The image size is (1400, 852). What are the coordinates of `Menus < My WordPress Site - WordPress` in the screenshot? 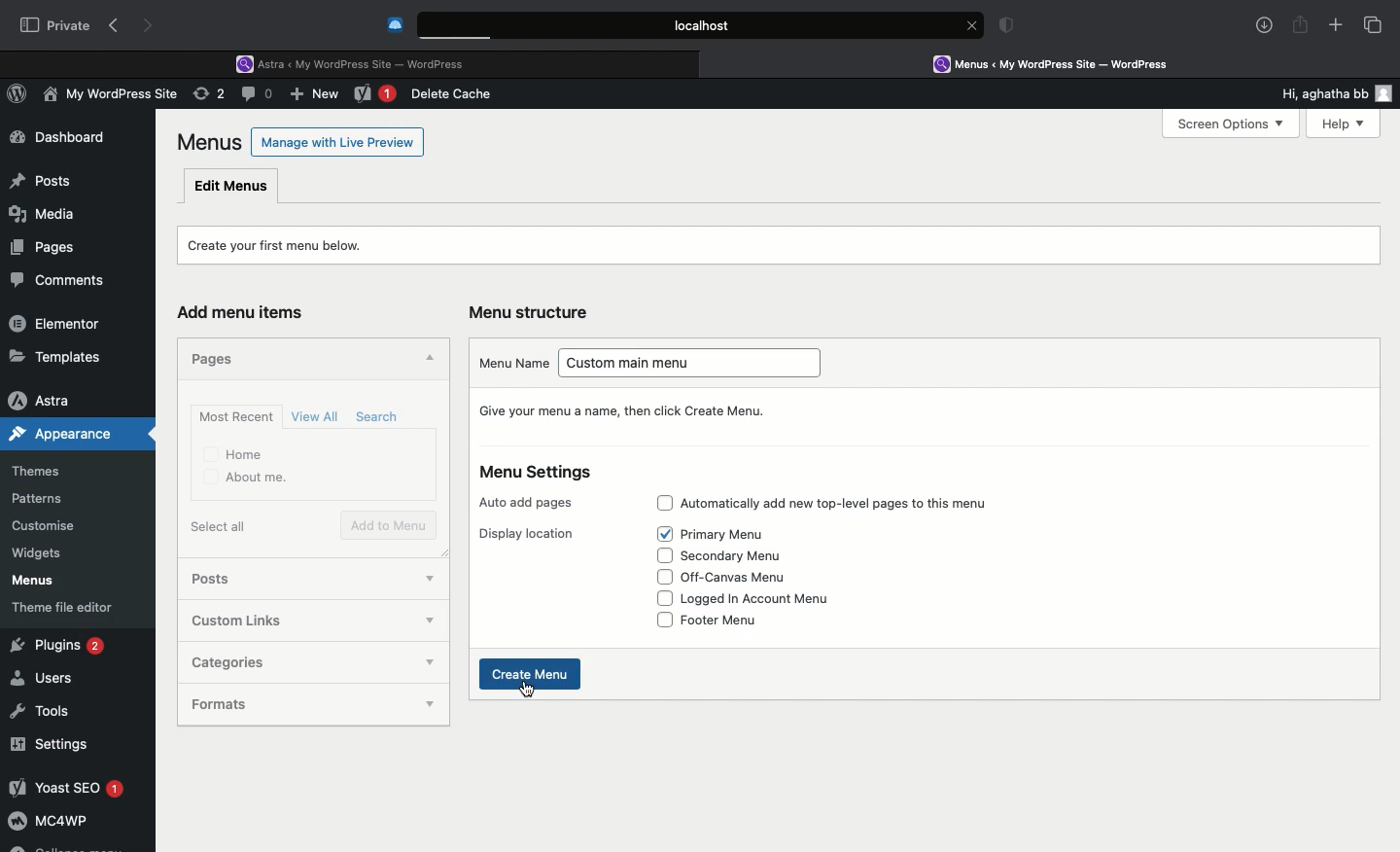 It's located at (1066, 63).